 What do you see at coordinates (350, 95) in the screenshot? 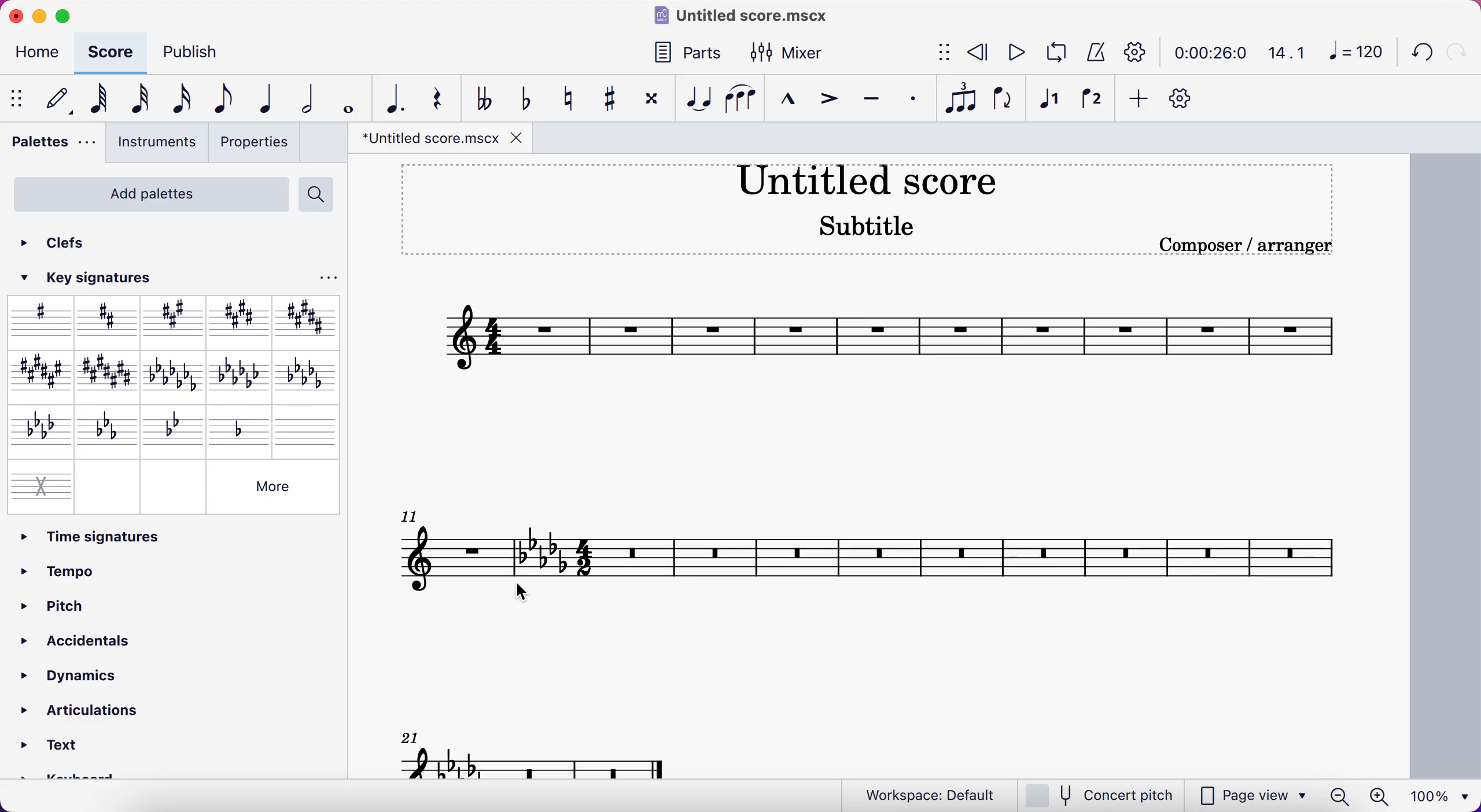
I see `whole note` at bounding box center [350, 95].